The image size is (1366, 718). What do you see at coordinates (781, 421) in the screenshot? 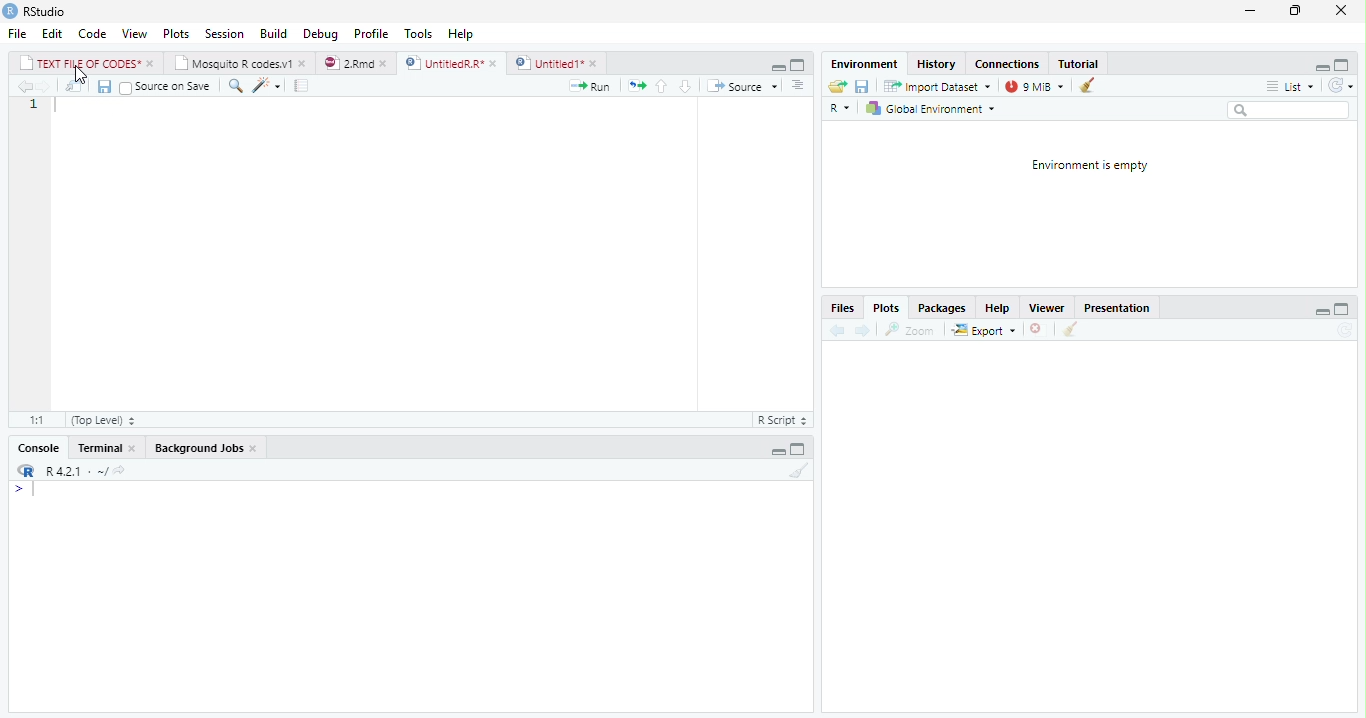
I see `RScript ` at bounding box center [781, 421].